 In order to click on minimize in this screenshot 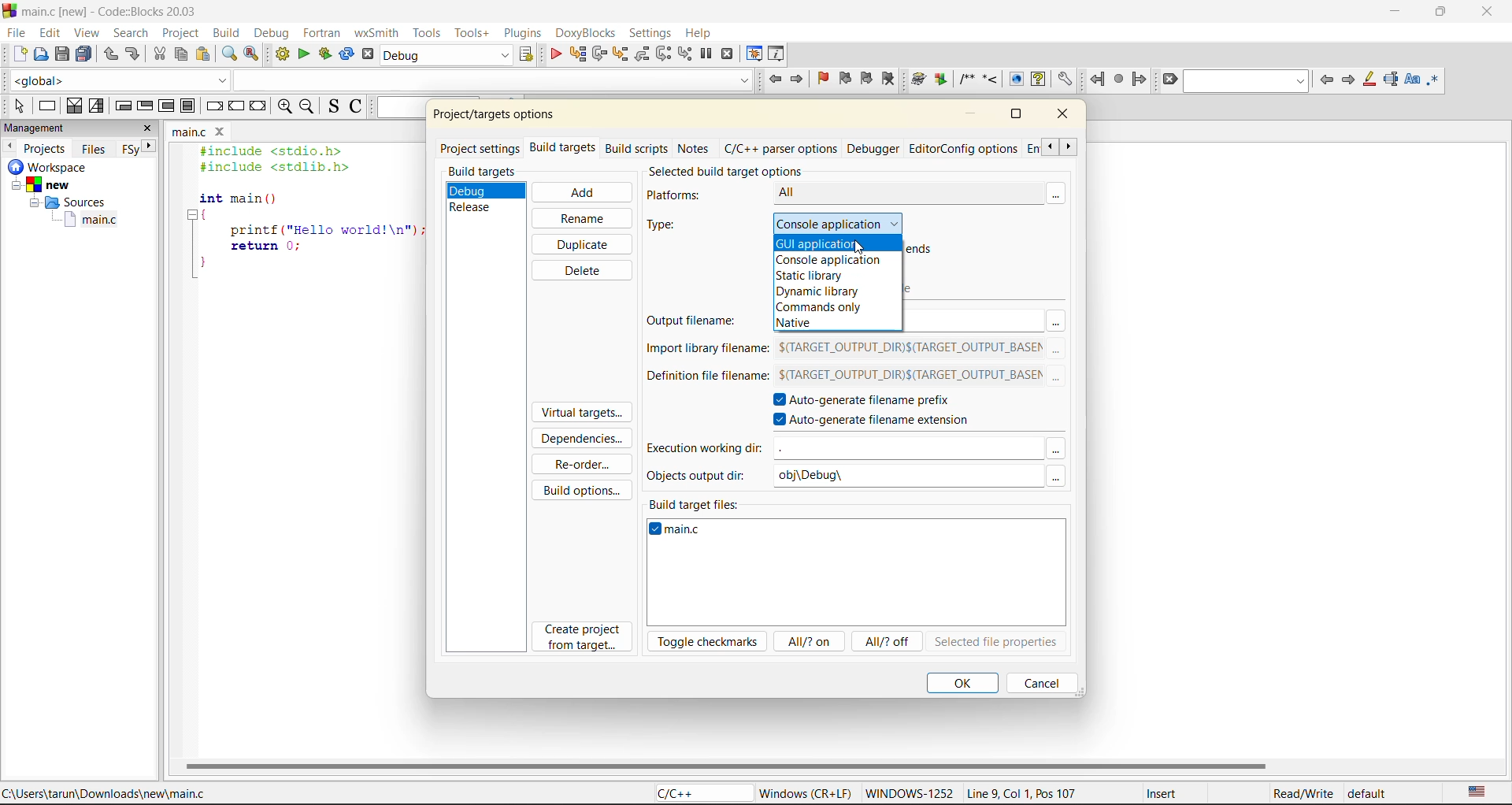, I will do `click(1393, 13)`.